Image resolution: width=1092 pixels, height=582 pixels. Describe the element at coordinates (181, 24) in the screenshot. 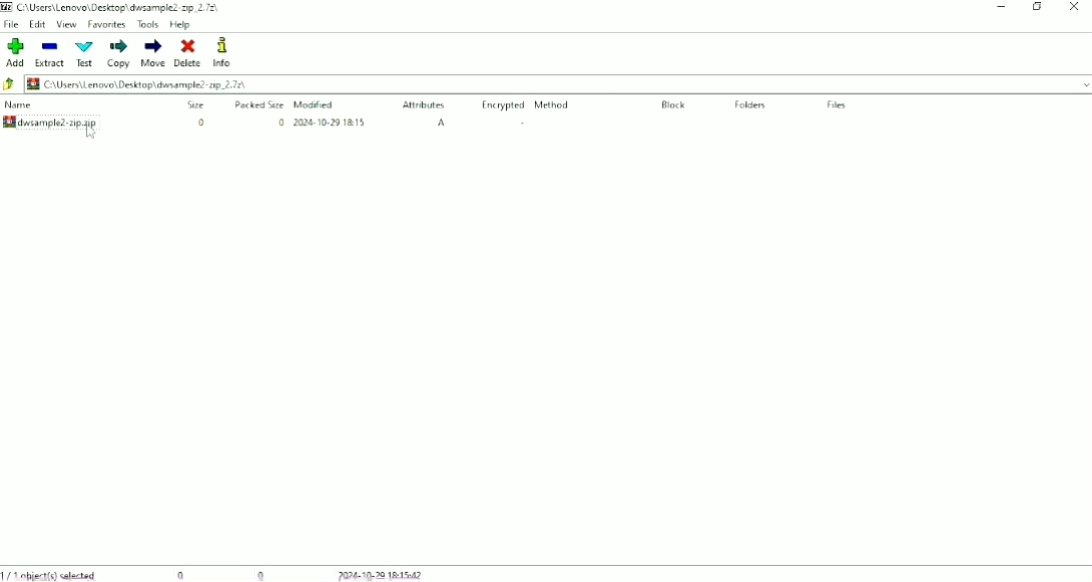

I see `Help` at that location.